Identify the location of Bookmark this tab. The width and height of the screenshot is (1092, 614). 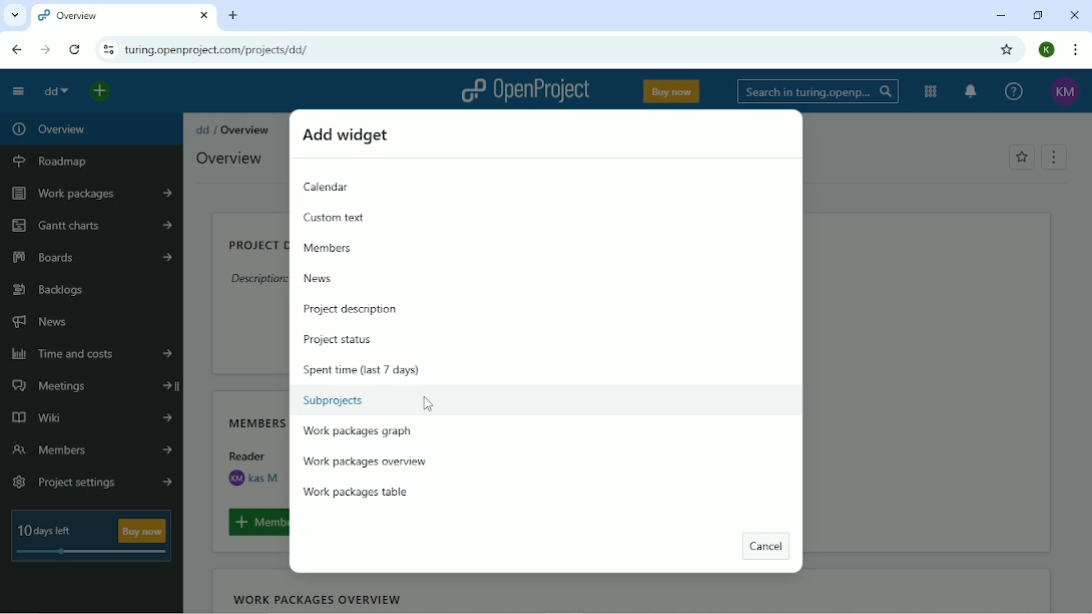
(1006, 50).